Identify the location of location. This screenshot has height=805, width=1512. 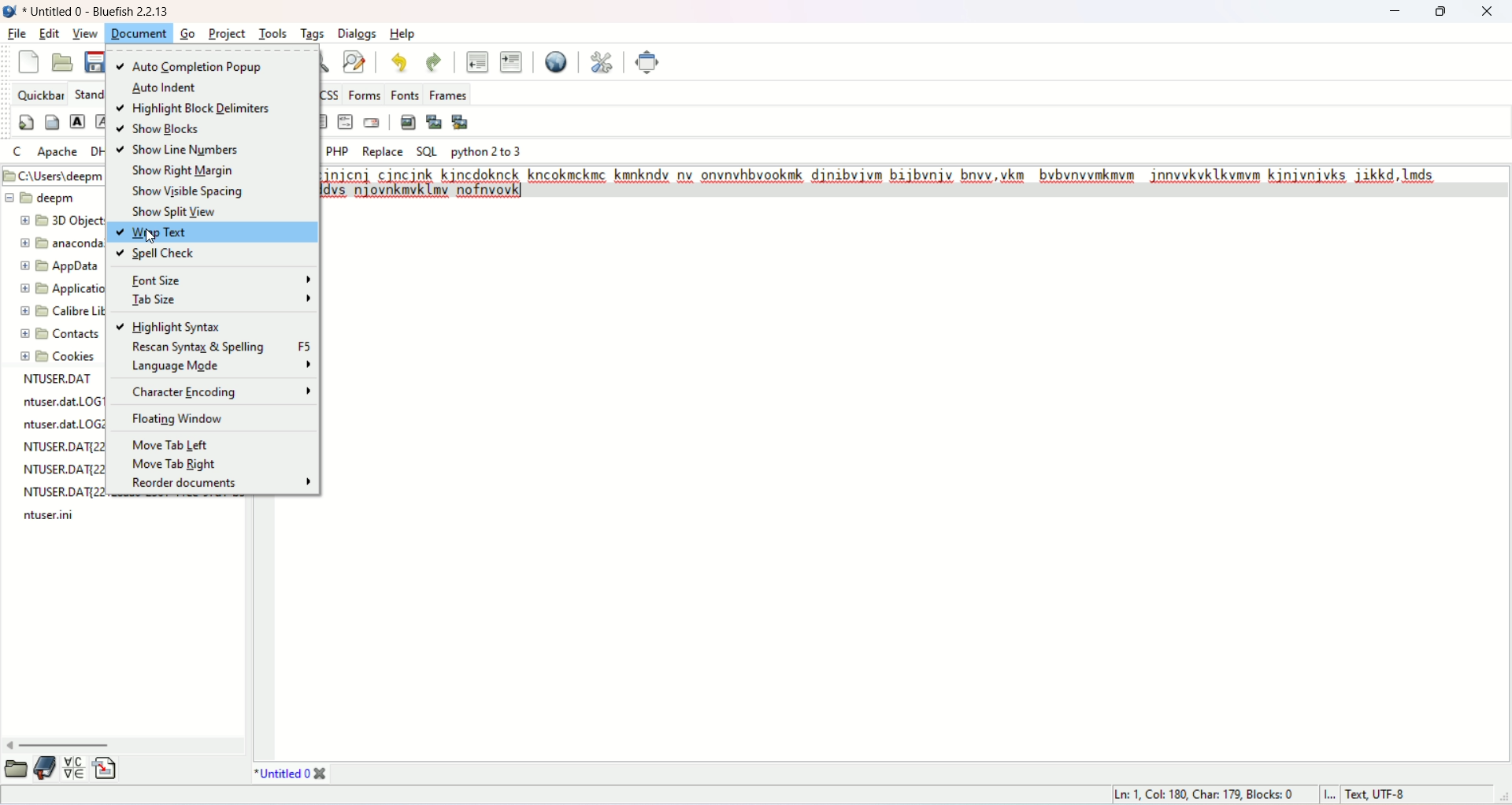
(54, 177).